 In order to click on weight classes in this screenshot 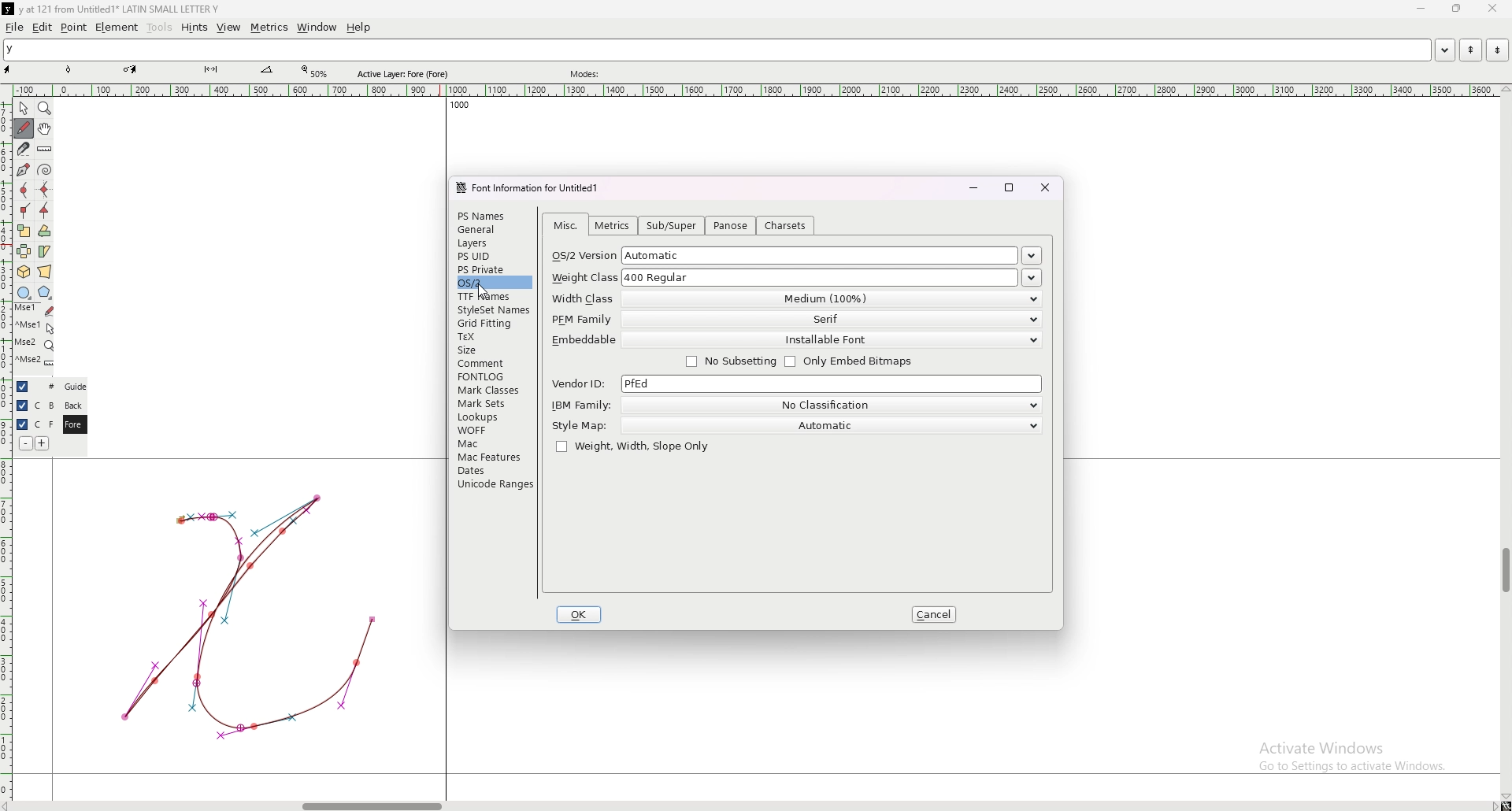, I will do `click(1032, 278)`.